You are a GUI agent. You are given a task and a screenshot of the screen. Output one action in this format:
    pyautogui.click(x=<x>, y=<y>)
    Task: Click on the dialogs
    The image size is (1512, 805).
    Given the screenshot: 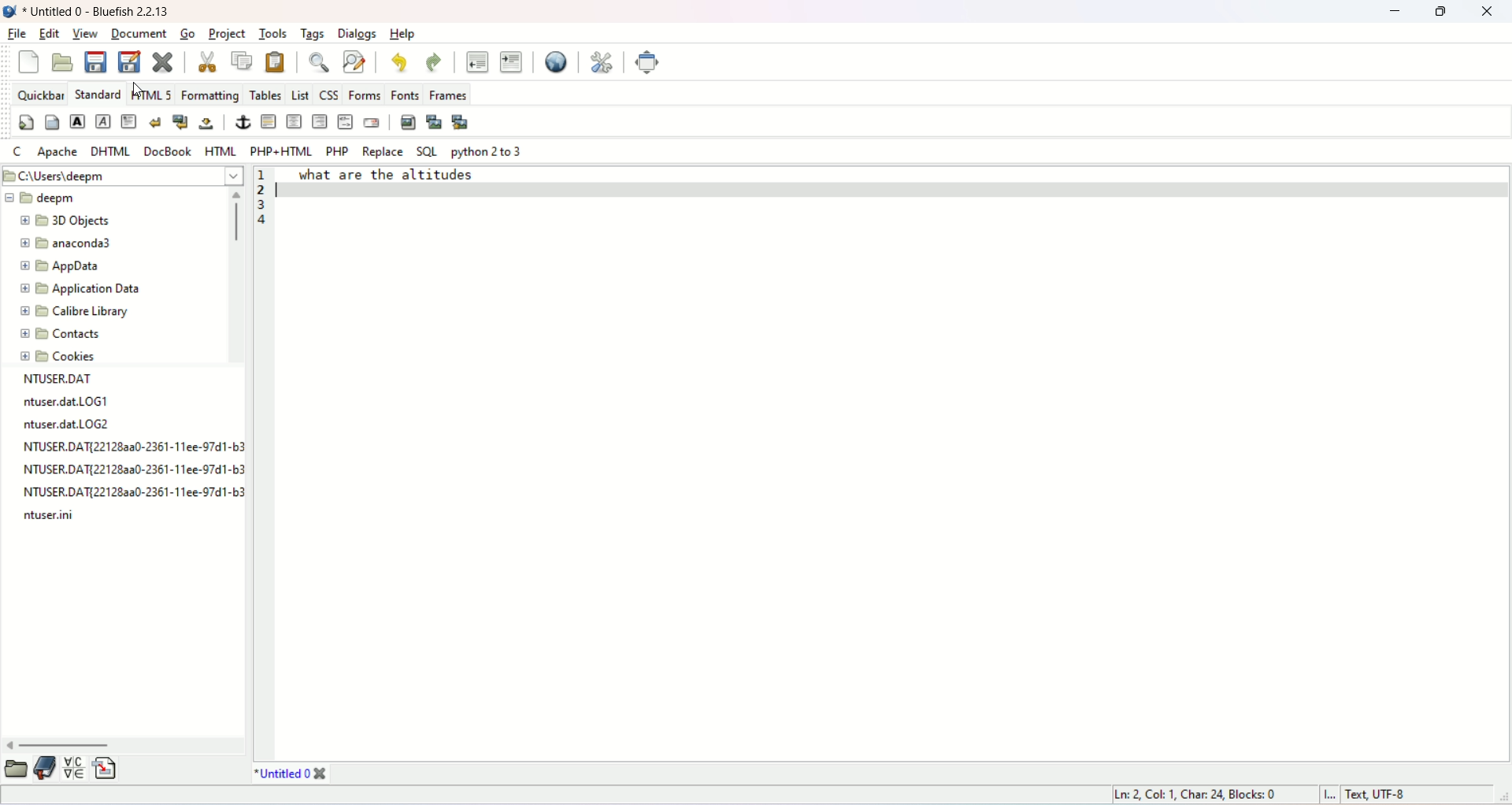 What is the action you would take?
    pyautogui.click(x=360, y=35)
    